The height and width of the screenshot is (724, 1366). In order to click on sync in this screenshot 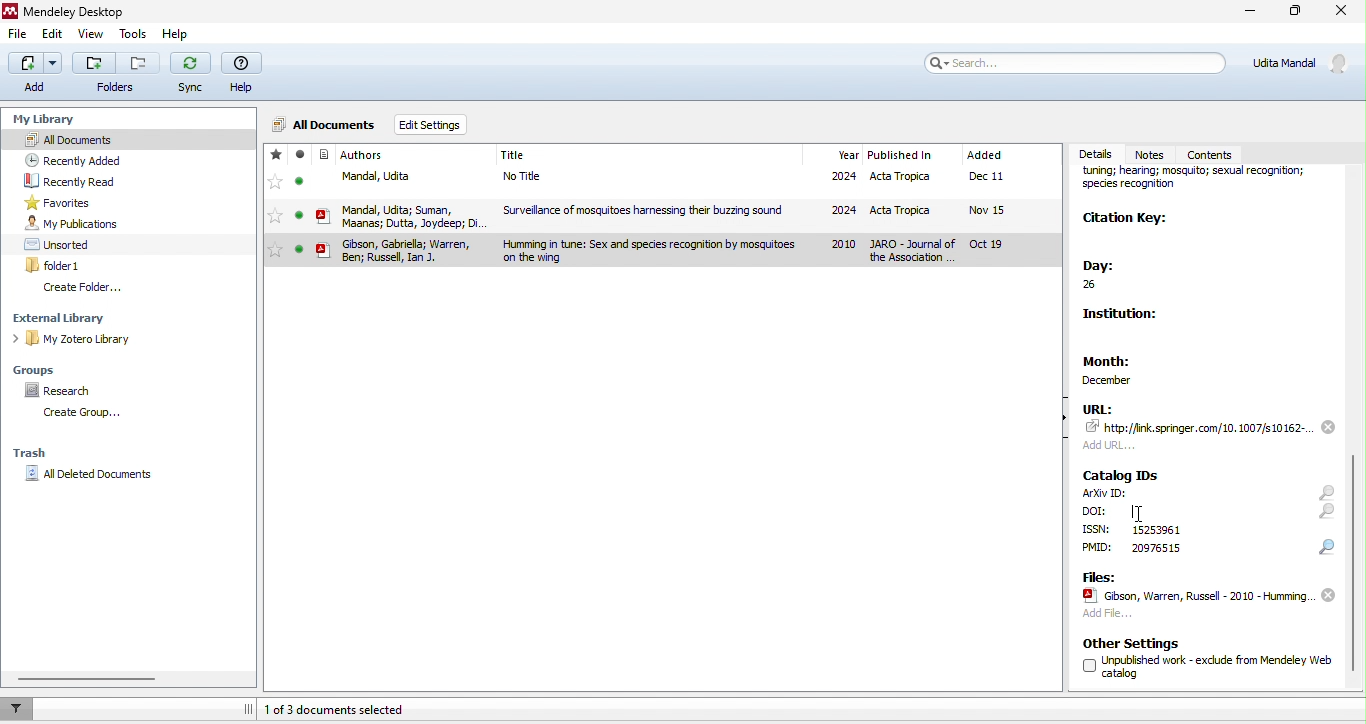, I will do `click(192, 75)`.